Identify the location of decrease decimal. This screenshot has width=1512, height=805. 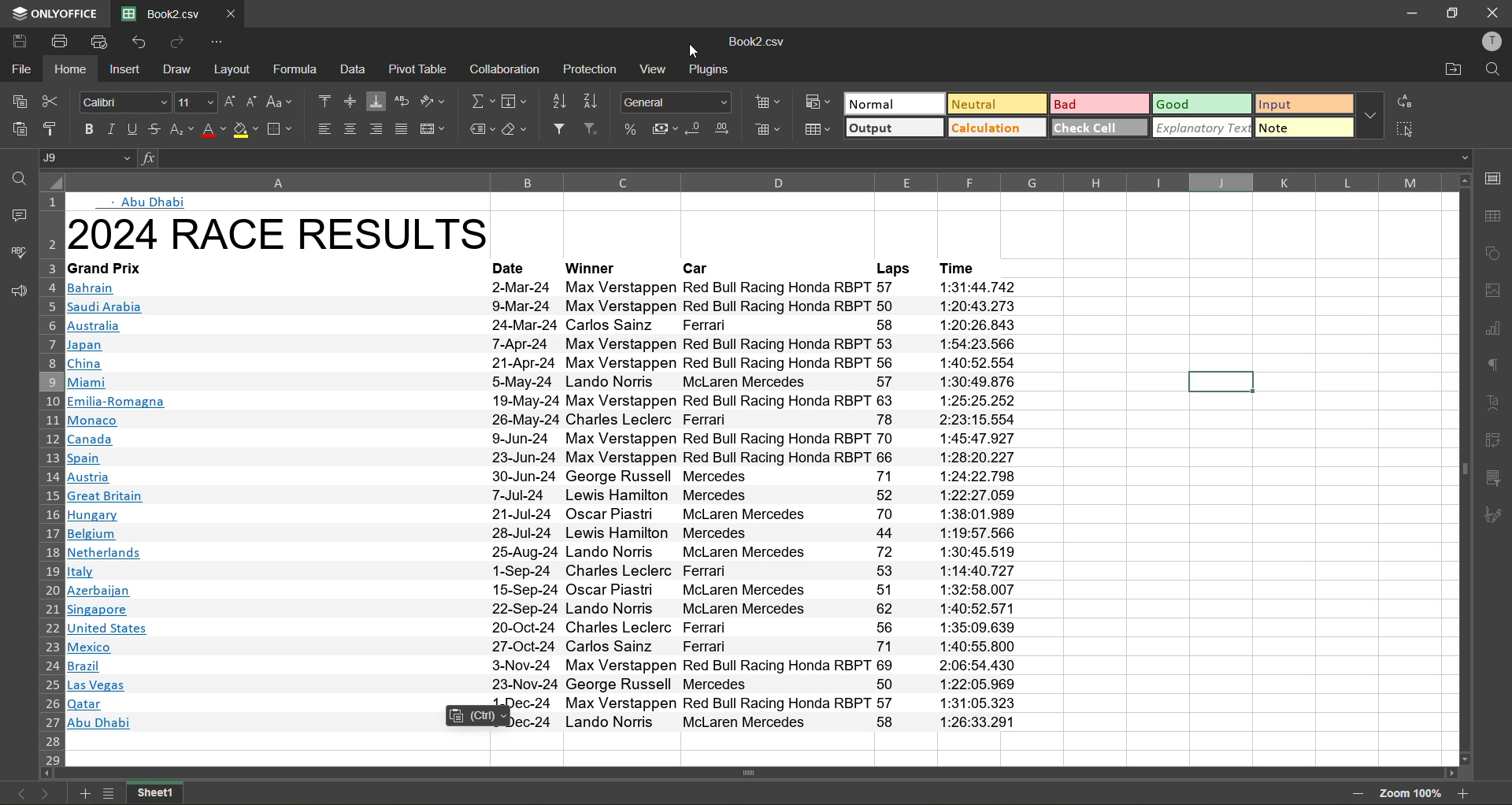
(694, 128).